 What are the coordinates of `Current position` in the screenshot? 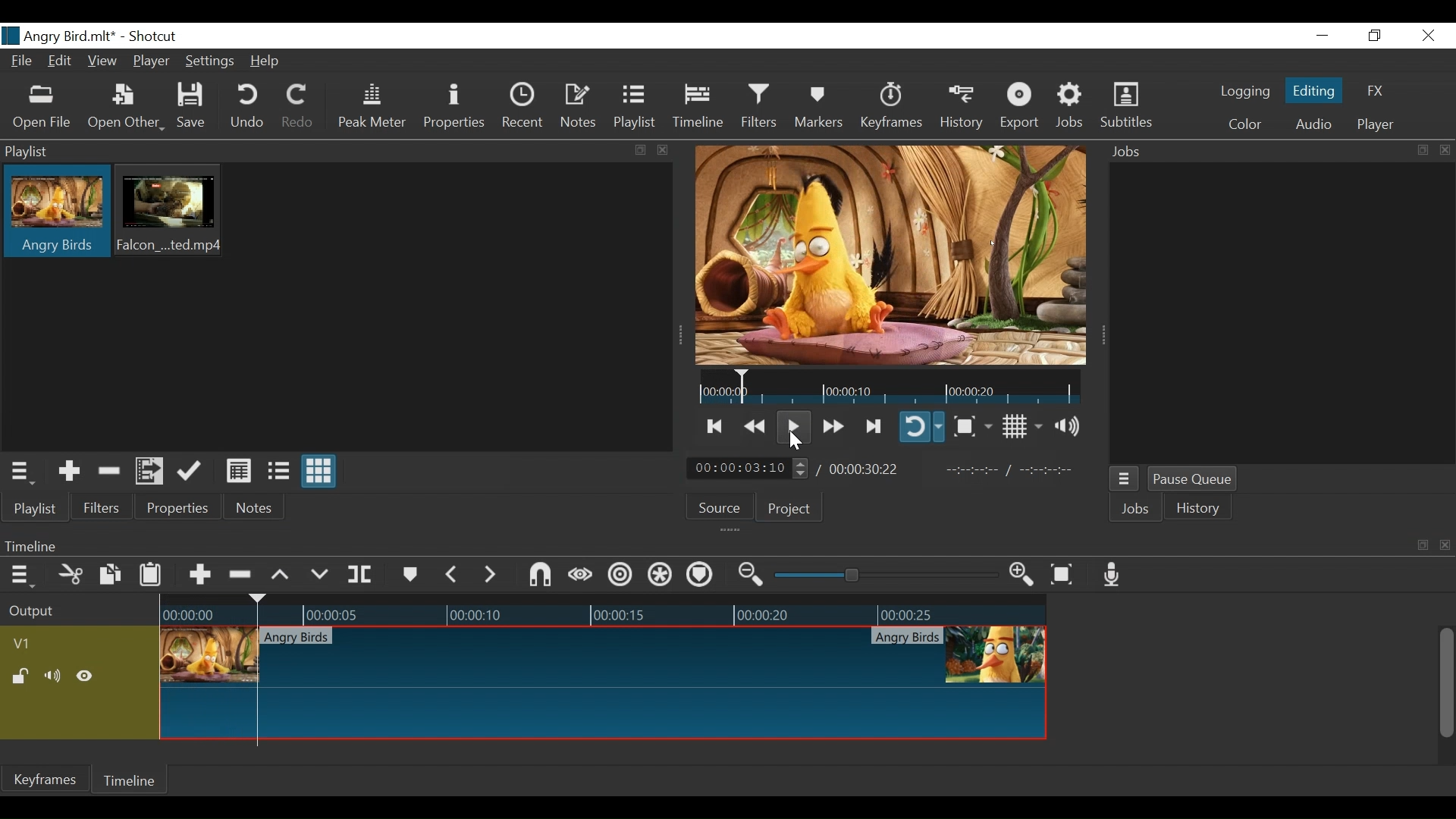 It's located at (745, 469).